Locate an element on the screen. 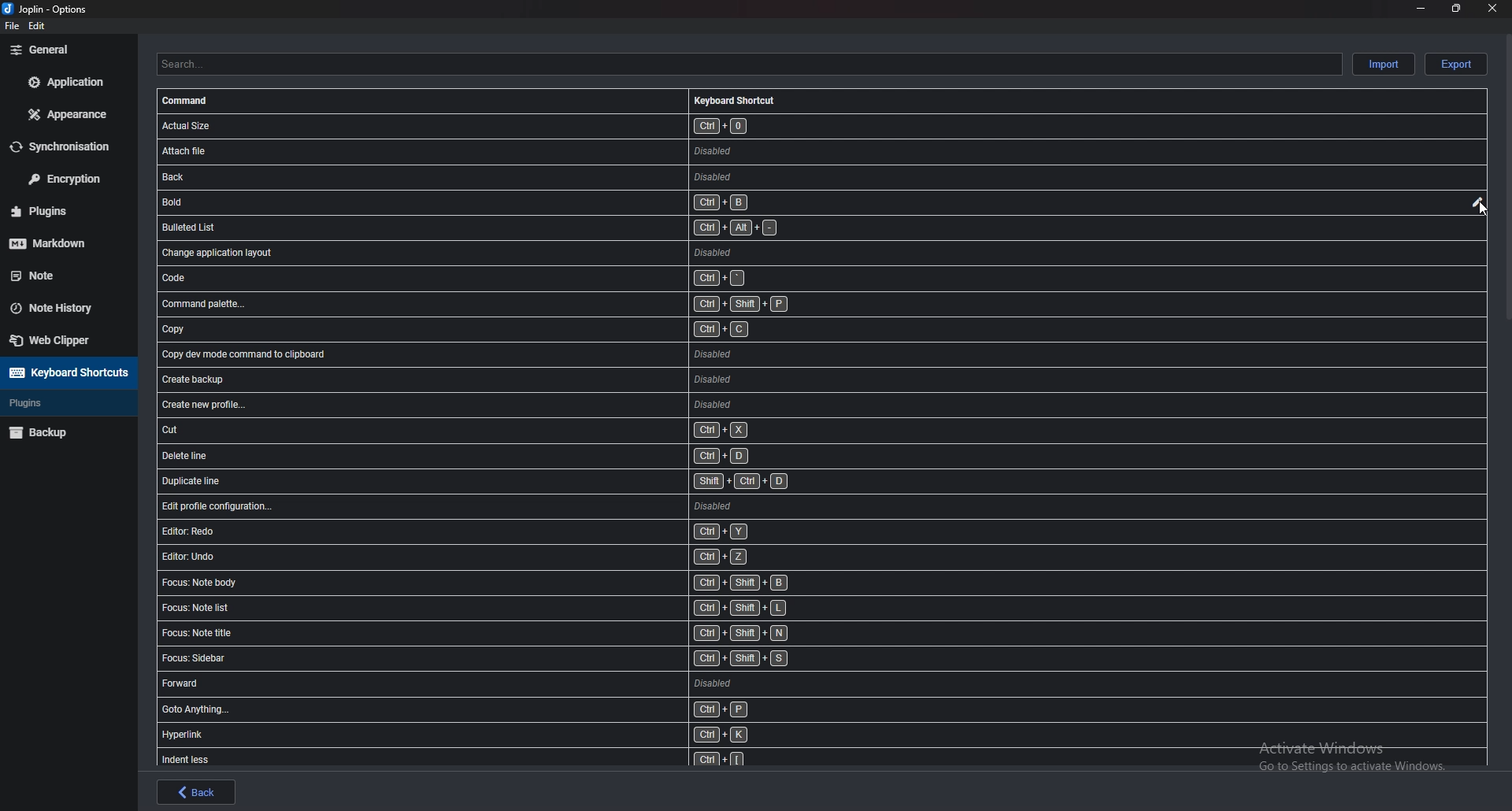 Image resolution: width=1512 pixels, height=811 pixels. shortcut is located at coordinates (516, 584).